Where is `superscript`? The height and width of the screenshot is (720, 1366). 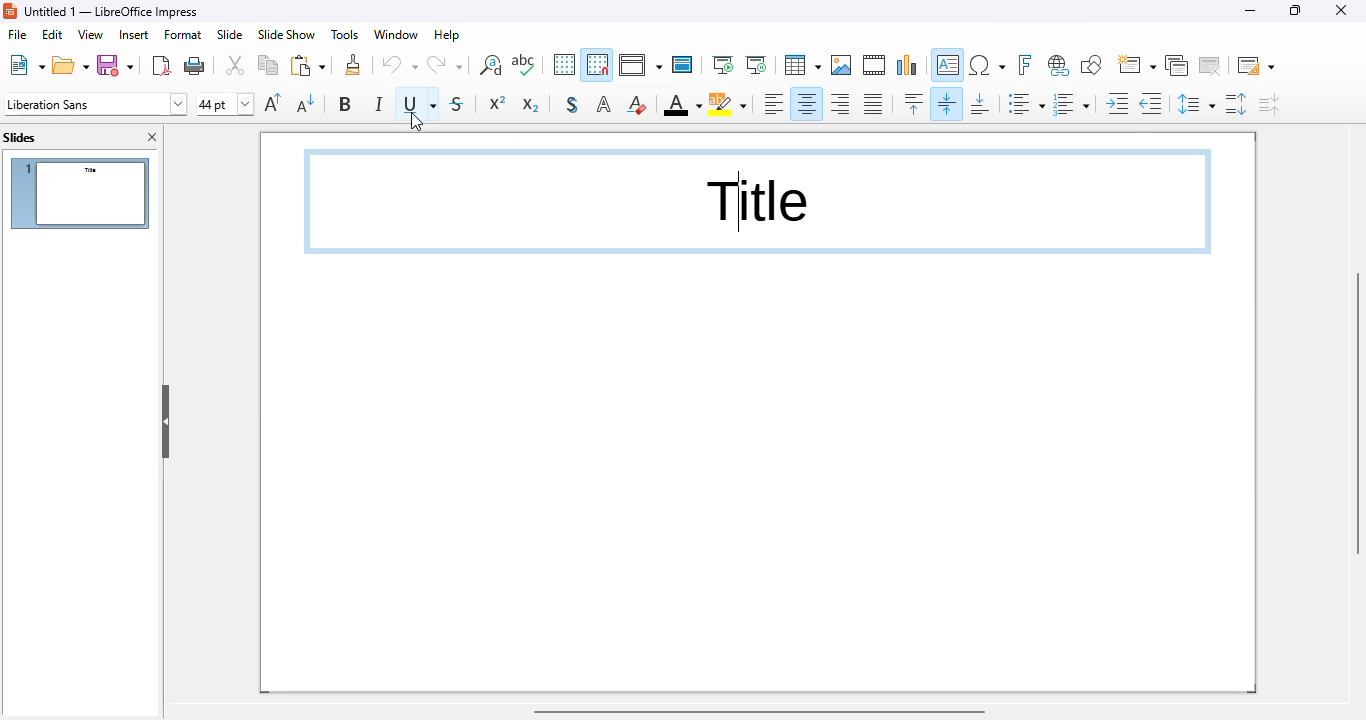
superscript is located at coordinates (498, 102).